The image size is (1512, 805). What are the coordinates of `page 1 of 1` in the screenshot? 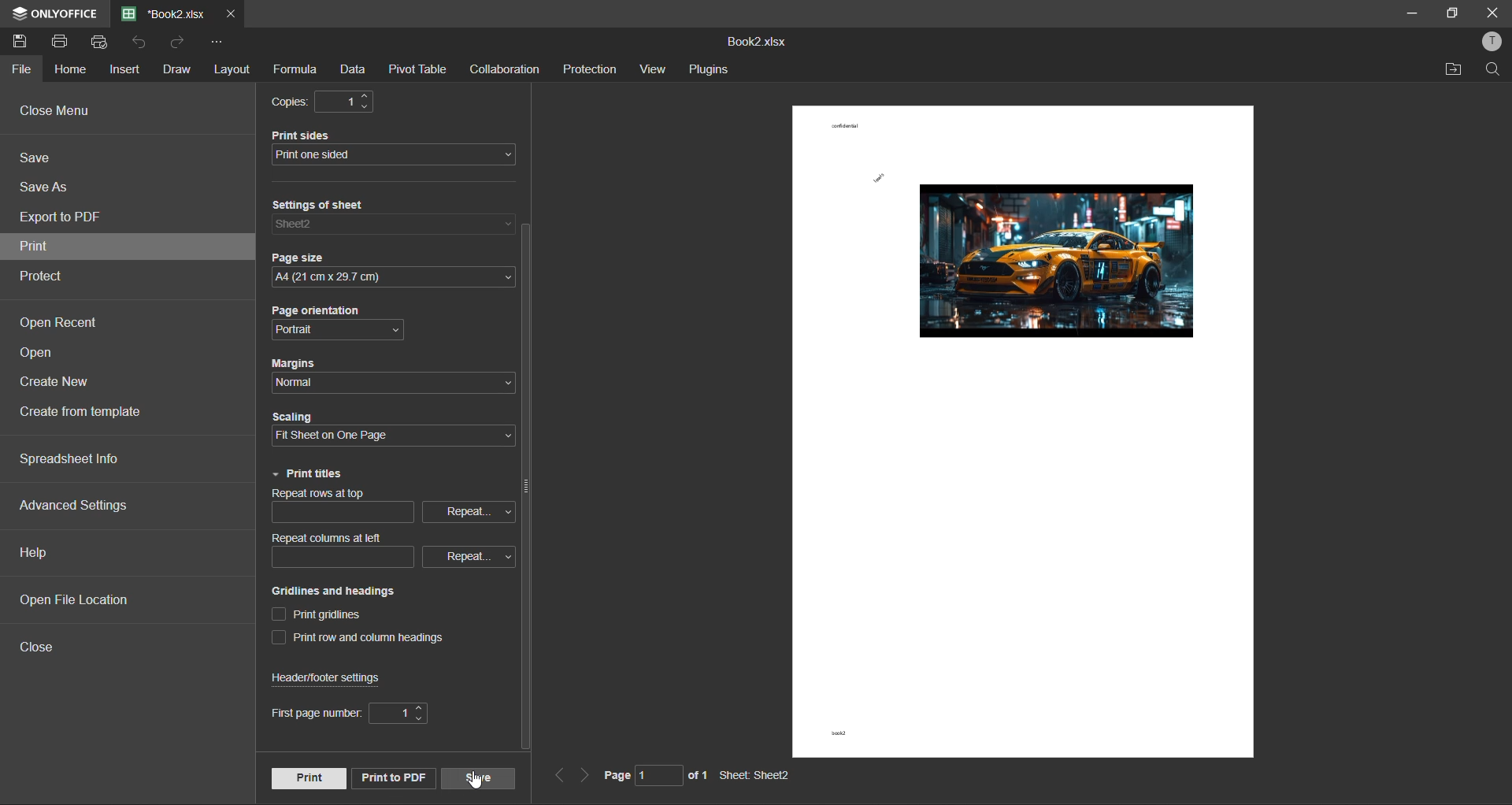 It's located at (656, 777).